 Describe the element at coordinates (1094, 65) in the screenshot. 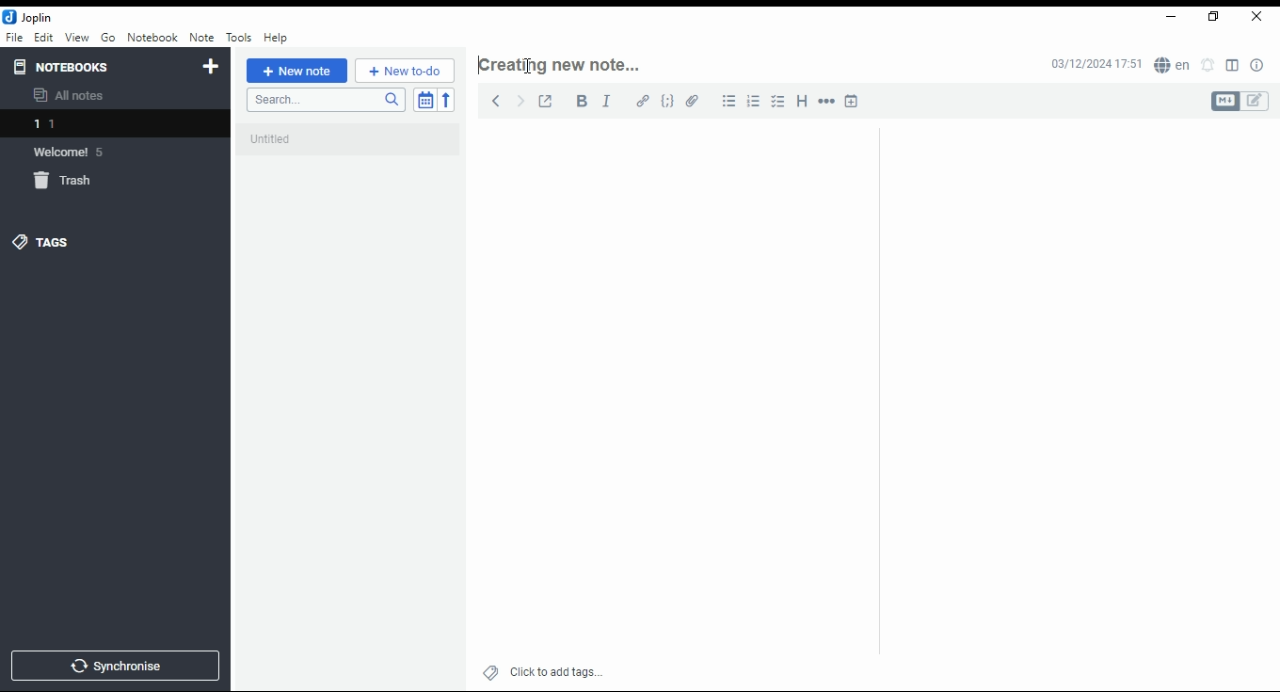

I see `03/12/2024 17:51` at that location.